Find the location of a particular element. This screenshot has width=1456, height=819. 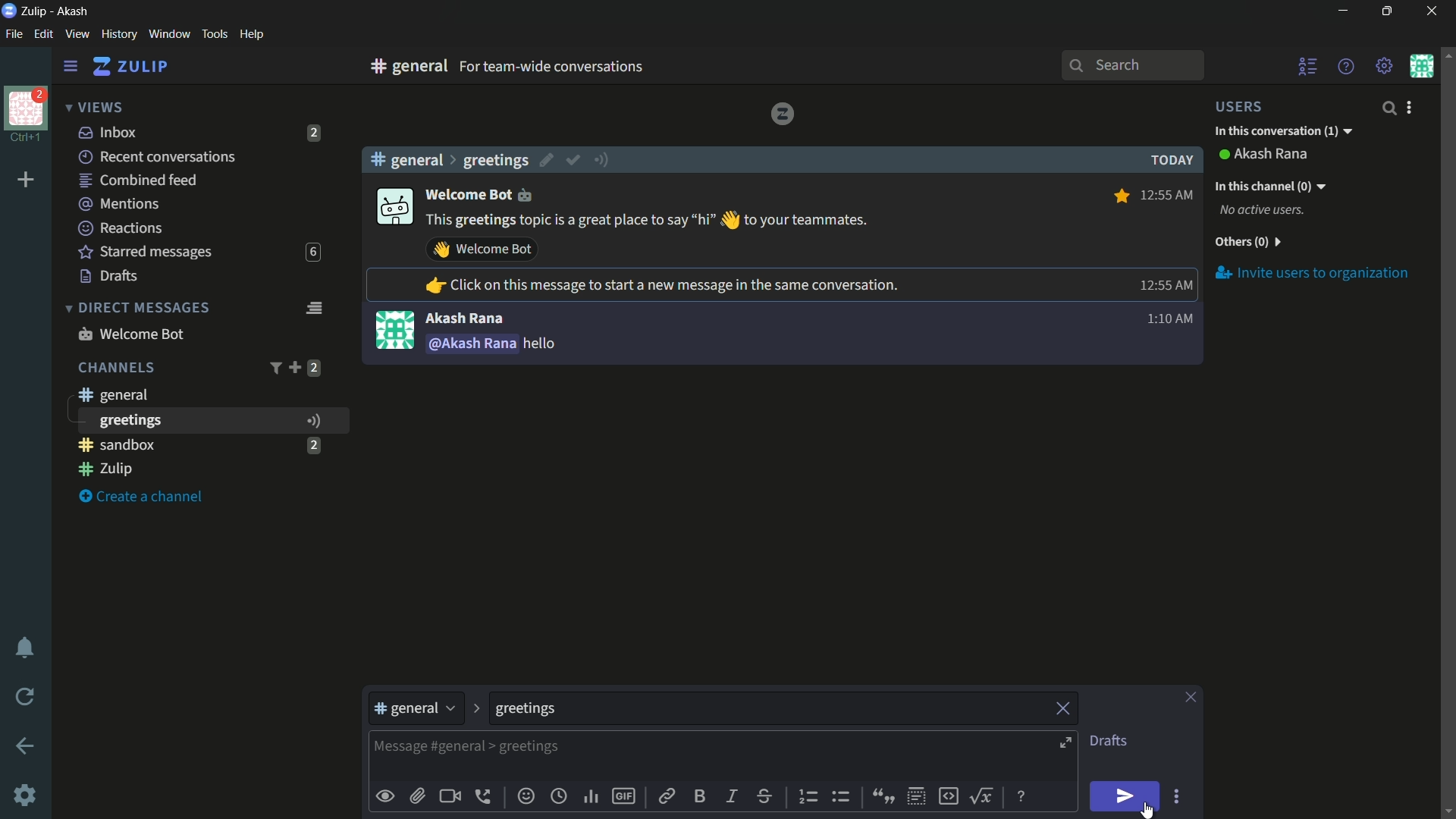

upload files is located at coordinates (417, 796).